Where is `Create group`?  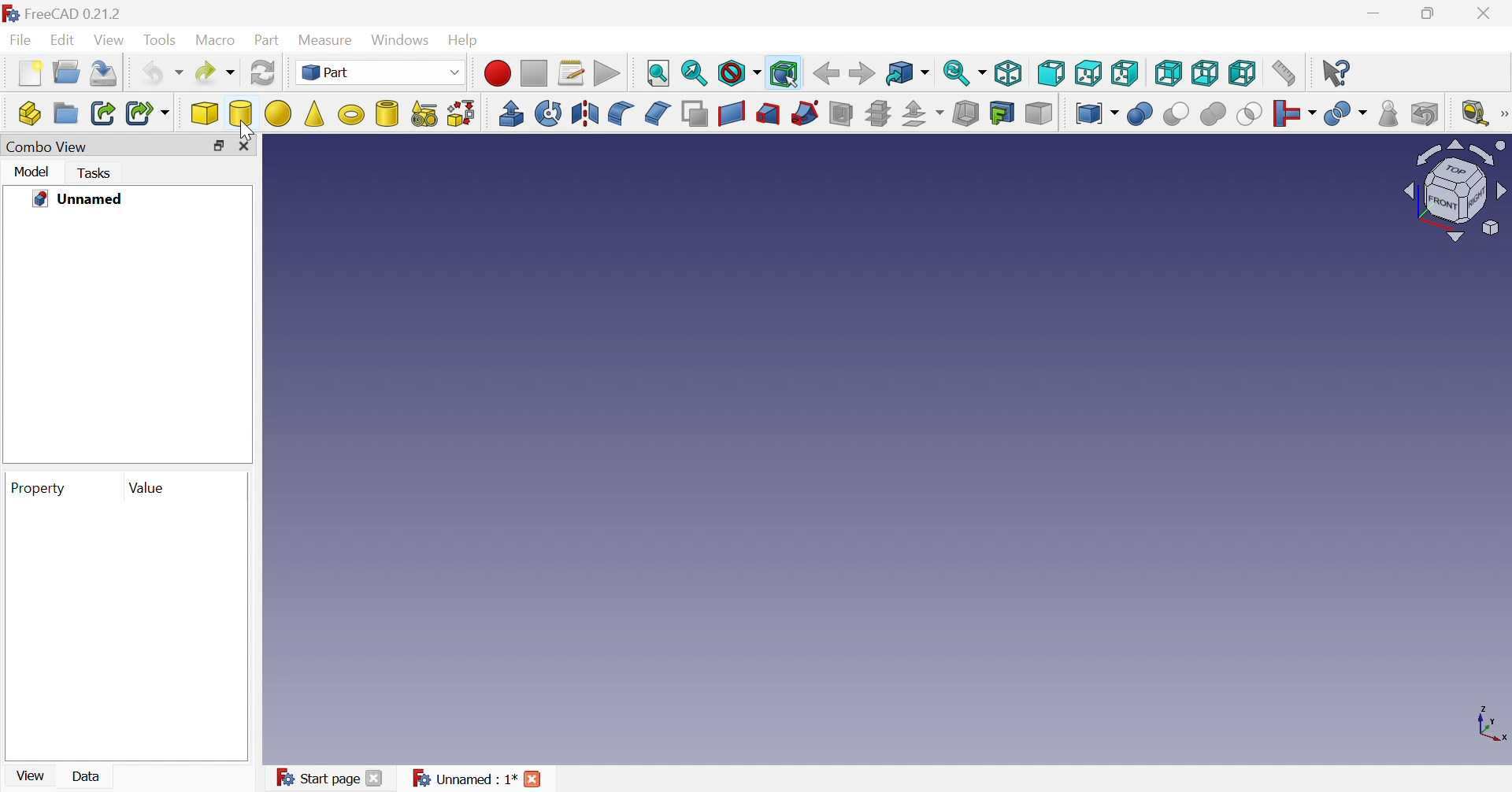 Create group is located at coordinates (65, 113).